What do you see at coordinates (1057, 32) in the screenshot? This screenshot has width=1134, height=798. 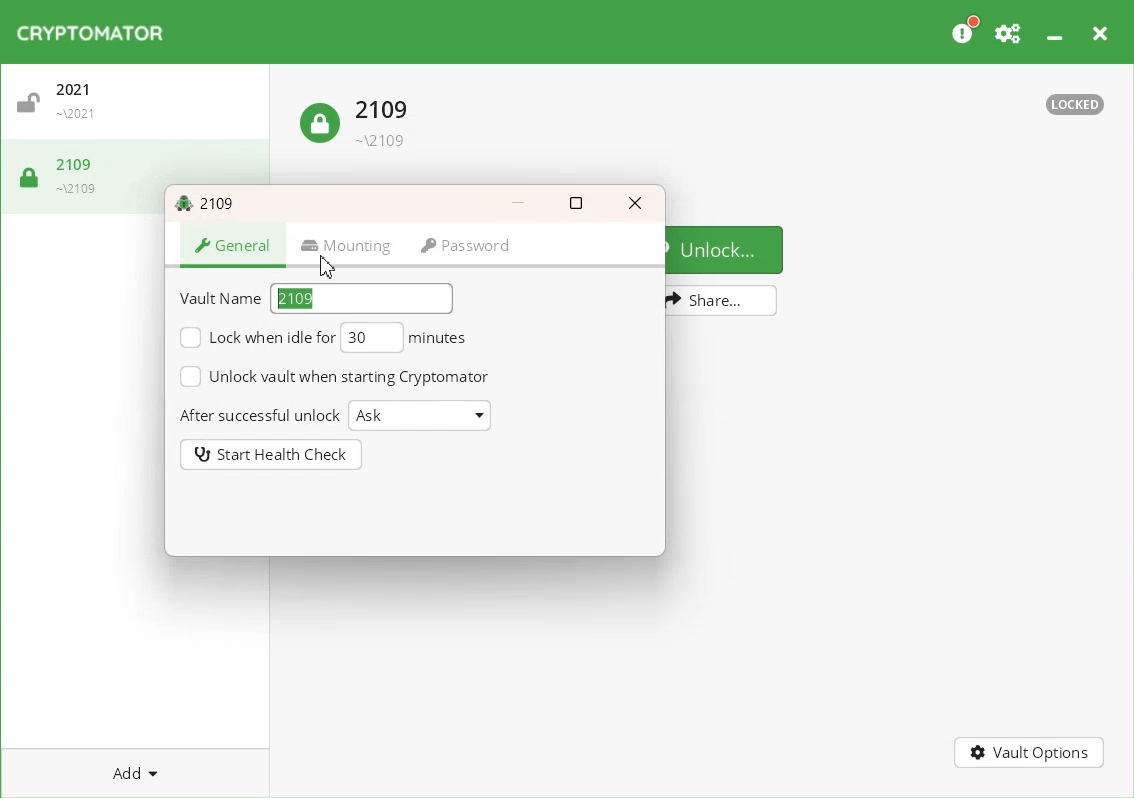 I see `Minimize` at bounding box center [1057, 32].